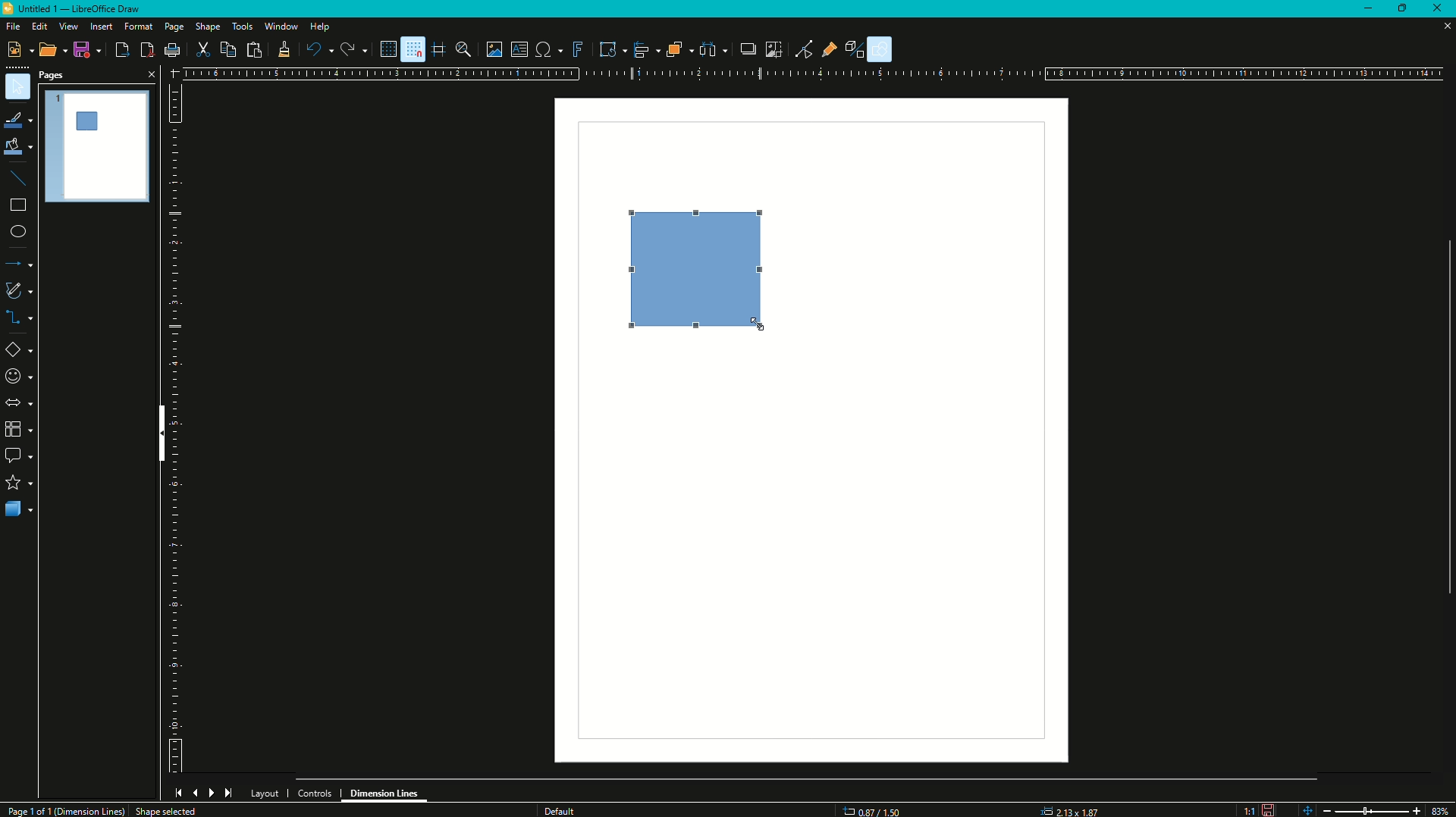 This screenshot has width=1456, height=817. What do you see at coordinates (173, 28) in the screenshot?
I see `Page` at bounding box center [173, 28].